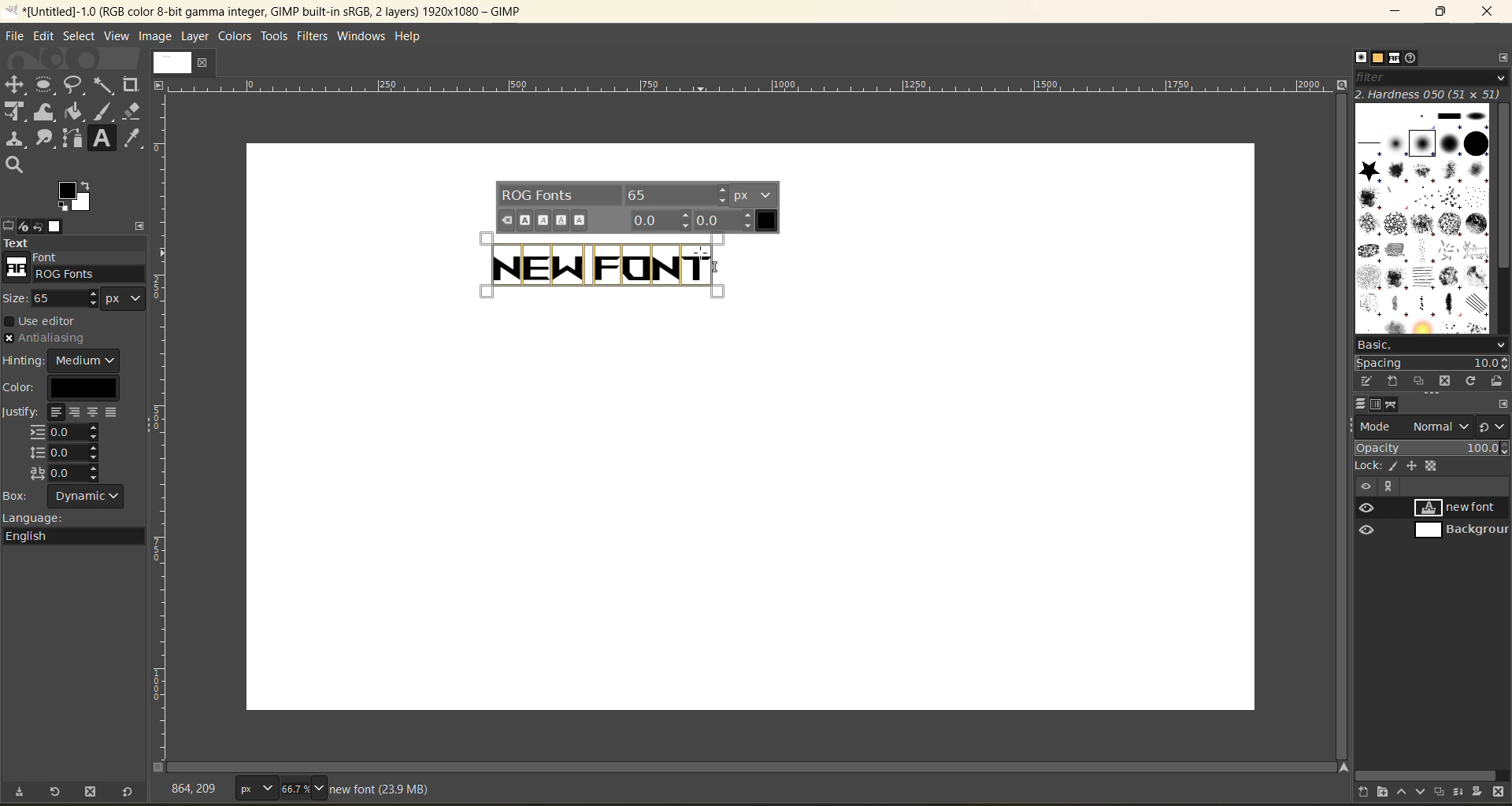 The width and height of the screenshot is (1512, 806). I want to click on background, so click(1459, 531).